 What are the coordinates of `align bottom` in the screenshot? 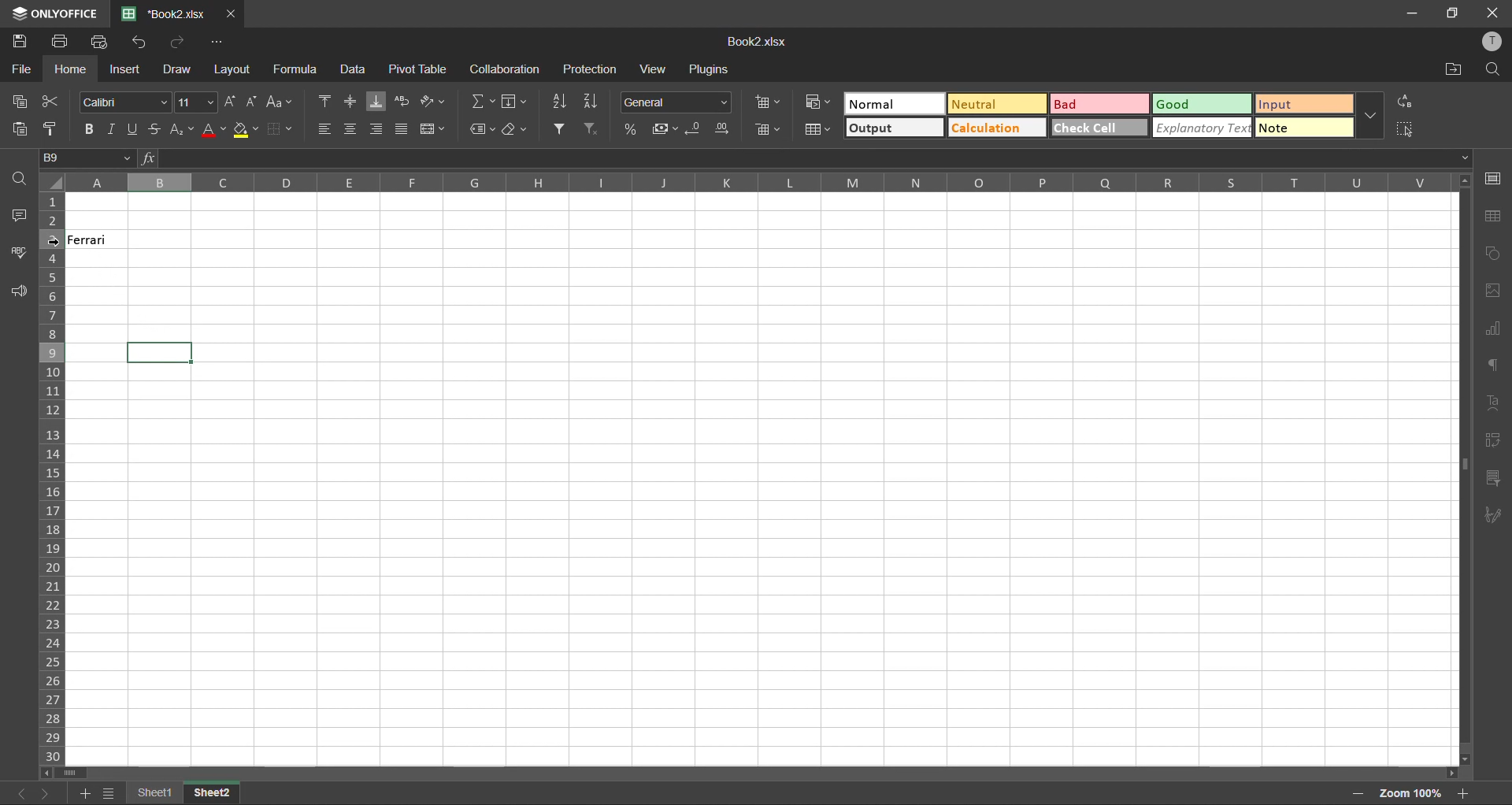 It's located at (376, 100).